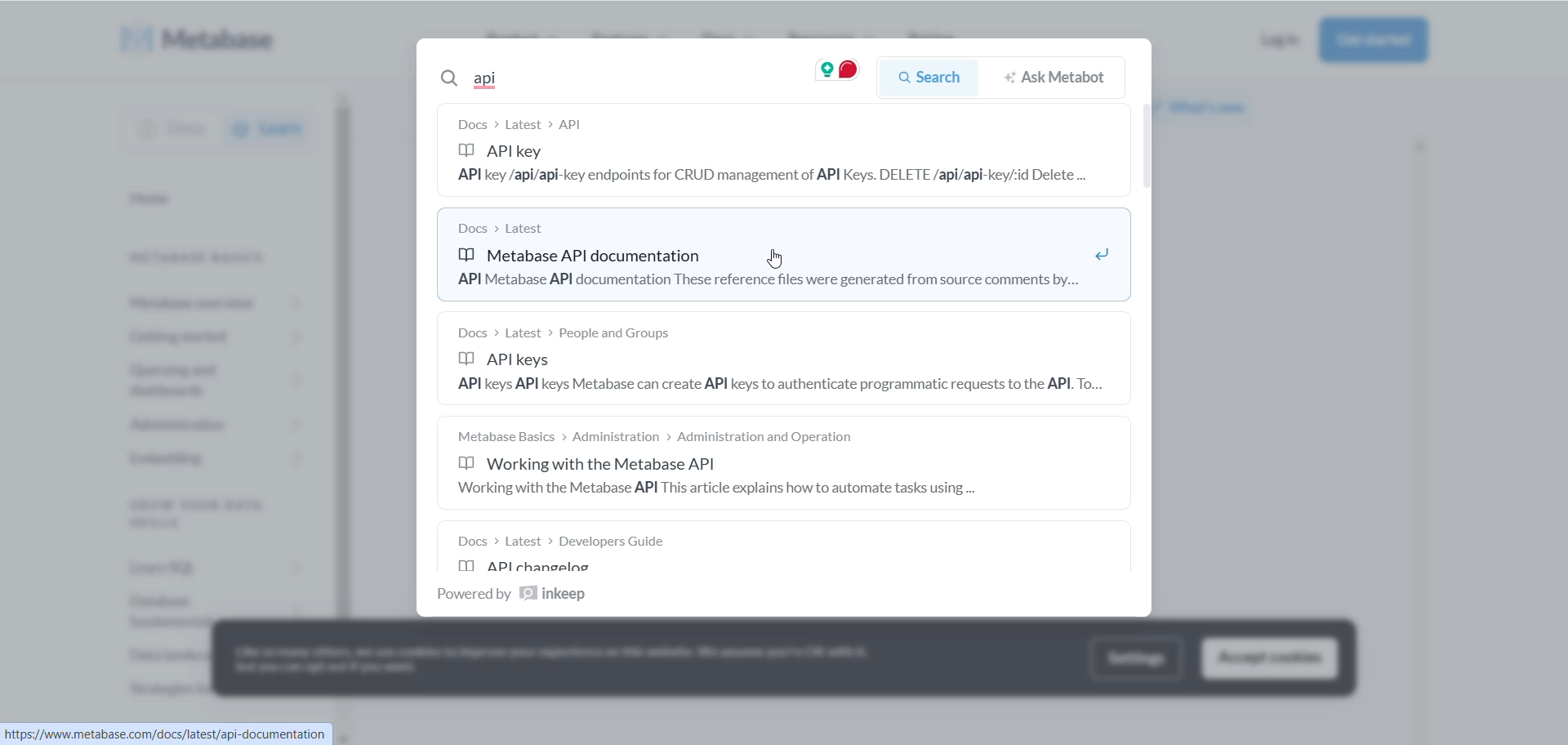 This screenshot has height=745, width=1568. Describe the element at coordinates (777, 154) in the screenshot. I see `API KEY DOCUMENTATION` at that location.